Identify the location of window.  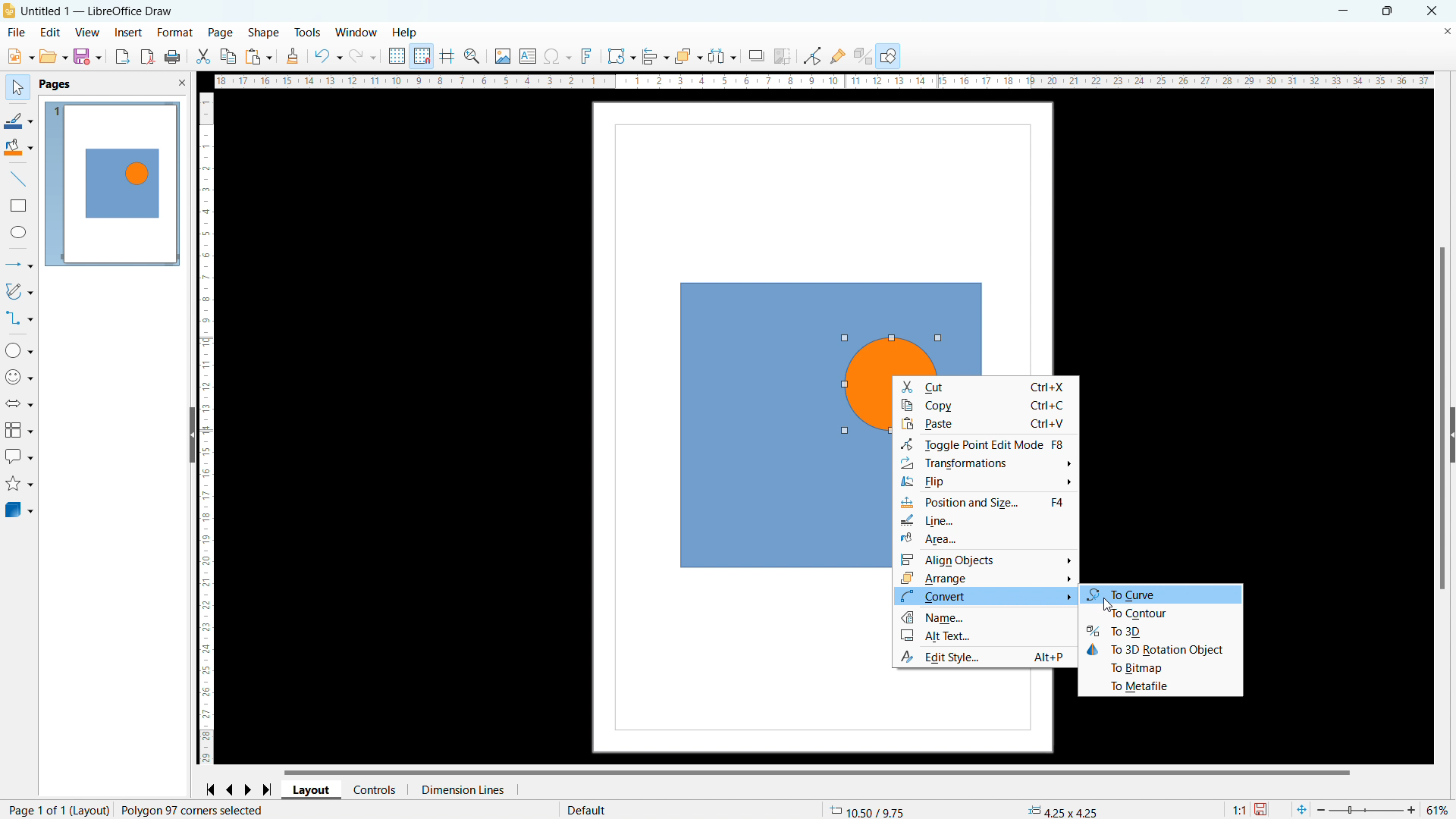
(356, 33).